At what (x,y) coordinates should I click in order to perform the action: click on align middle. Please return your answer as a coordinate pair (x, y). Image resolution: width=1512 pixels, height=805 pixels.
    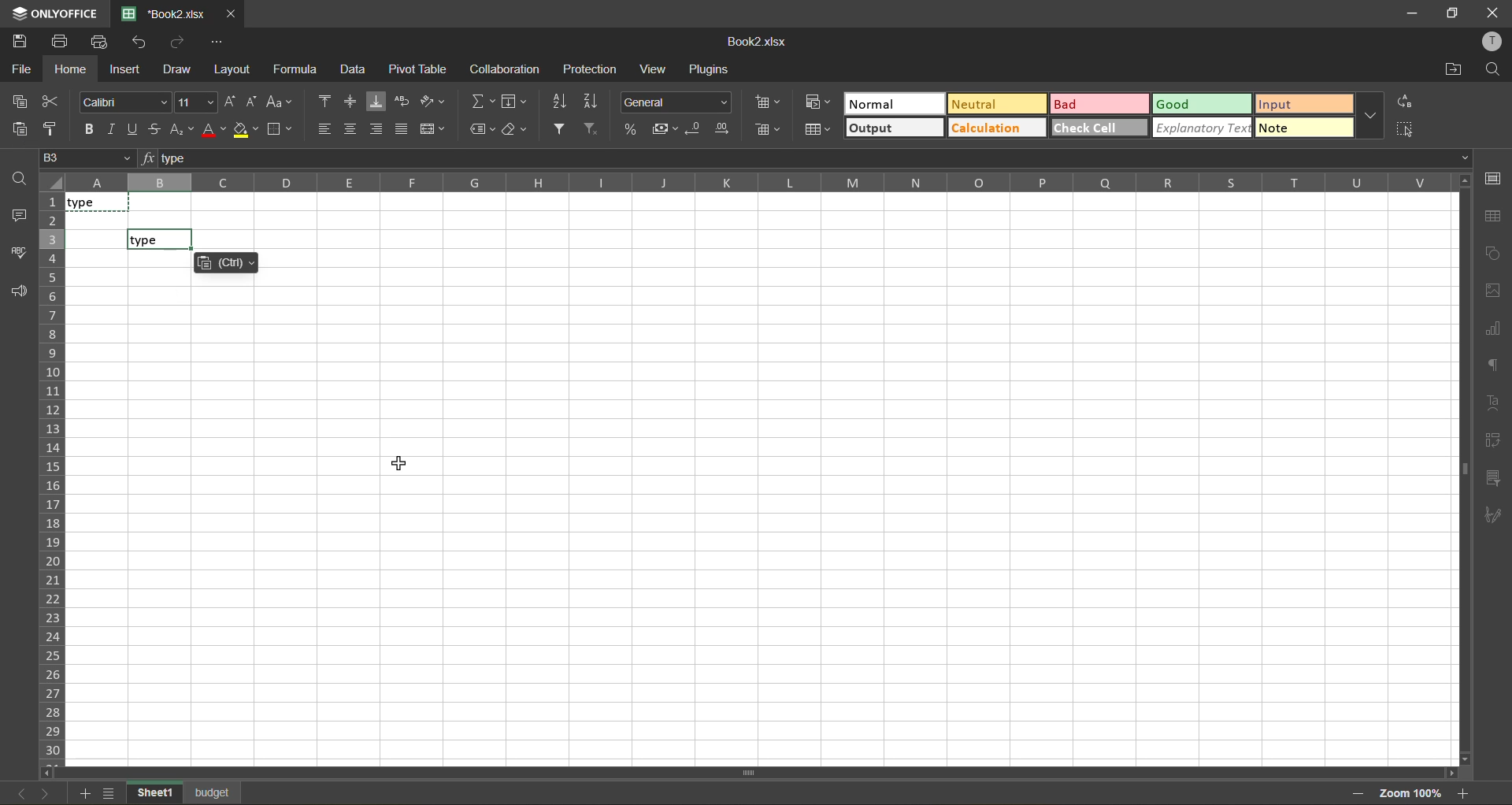
    Looking at the image, I should click on (346, 98).